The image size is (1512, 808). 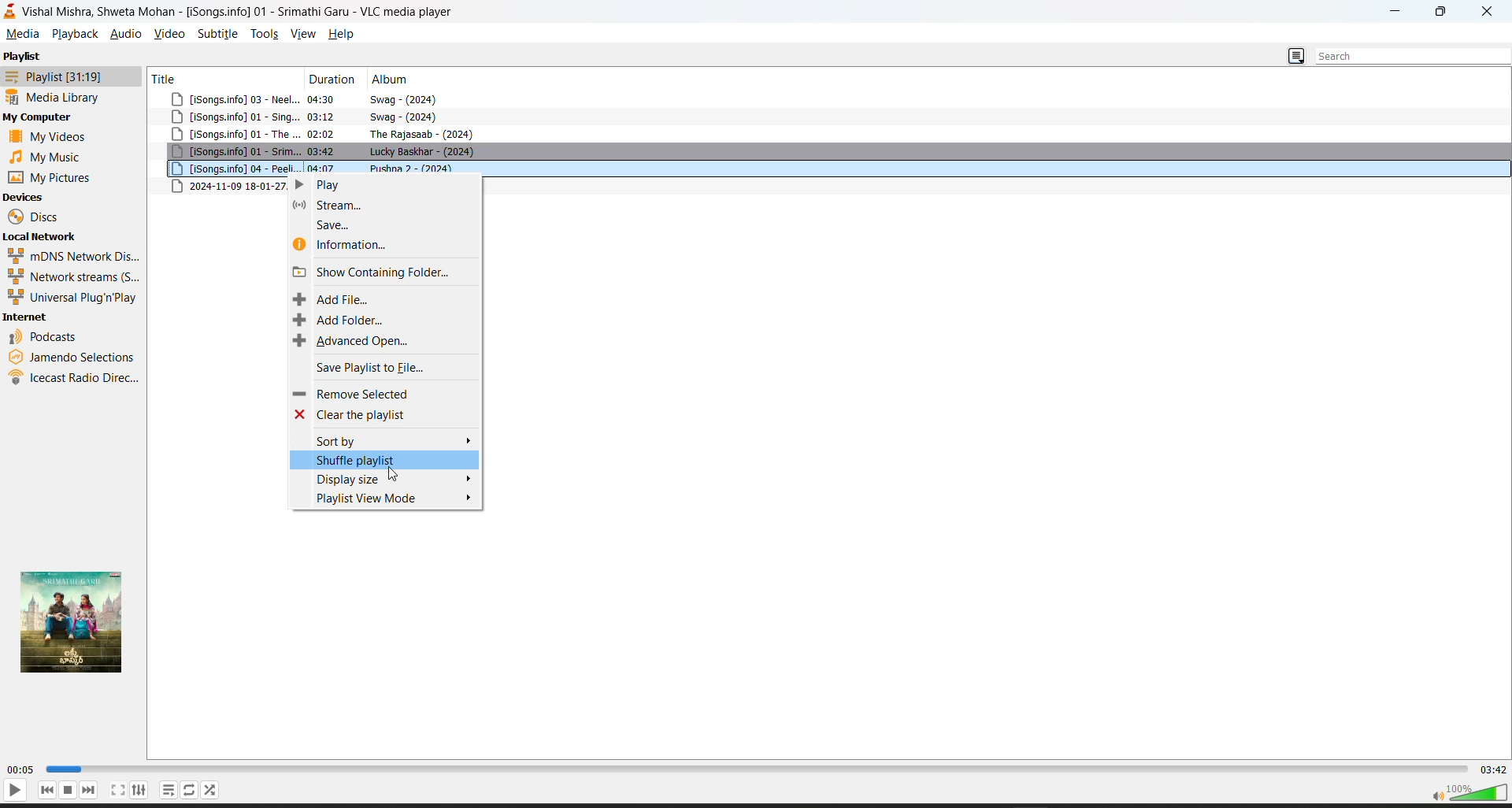 I want to click on thumbnail, so click(x=72, y=622).